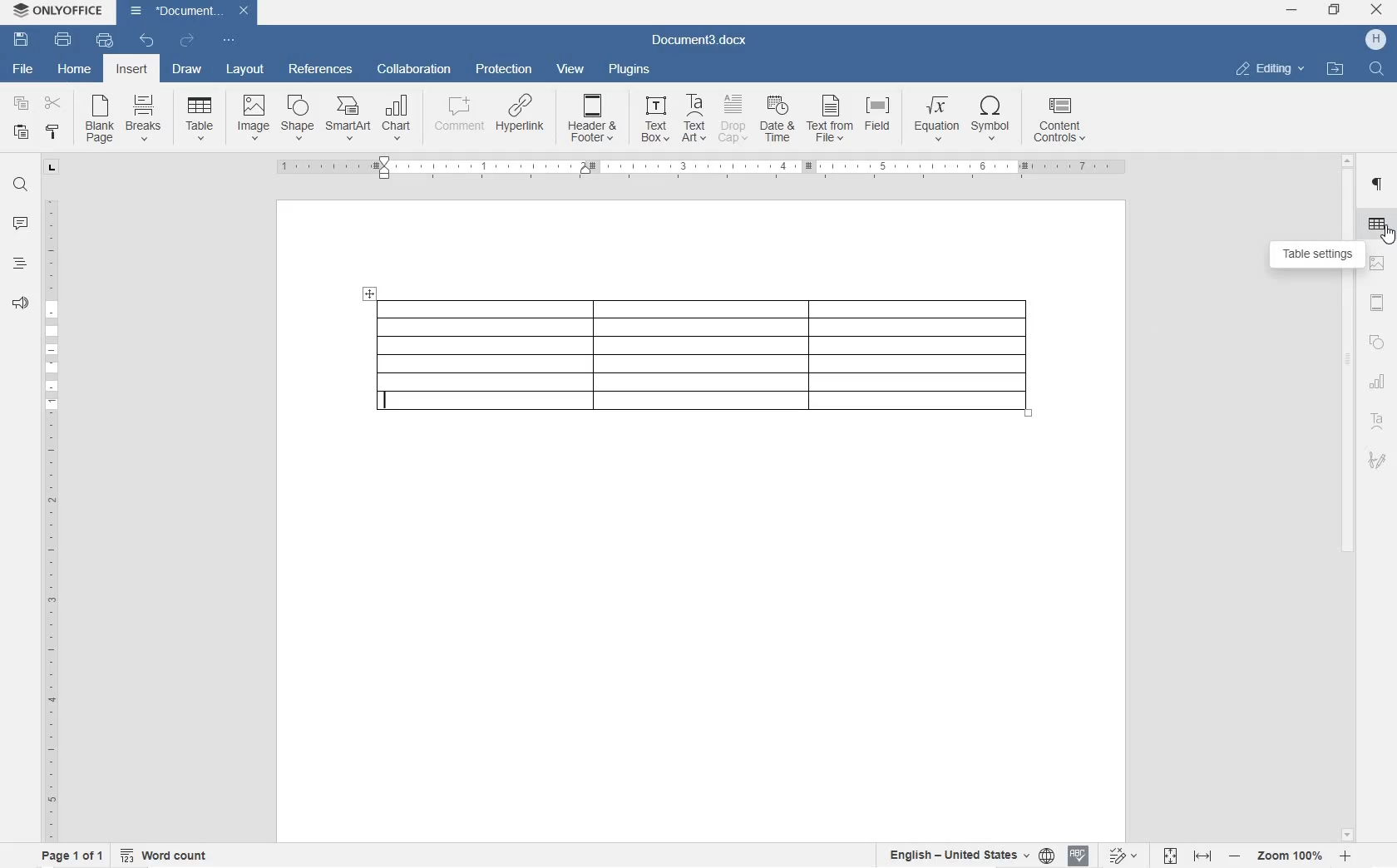 This screenshot has width=1397, height=868. What do you see at coordinates (18, 303) in the screenshot?
I see `FEEDBACK & SUPPORT` at bounding box center [18, 303].